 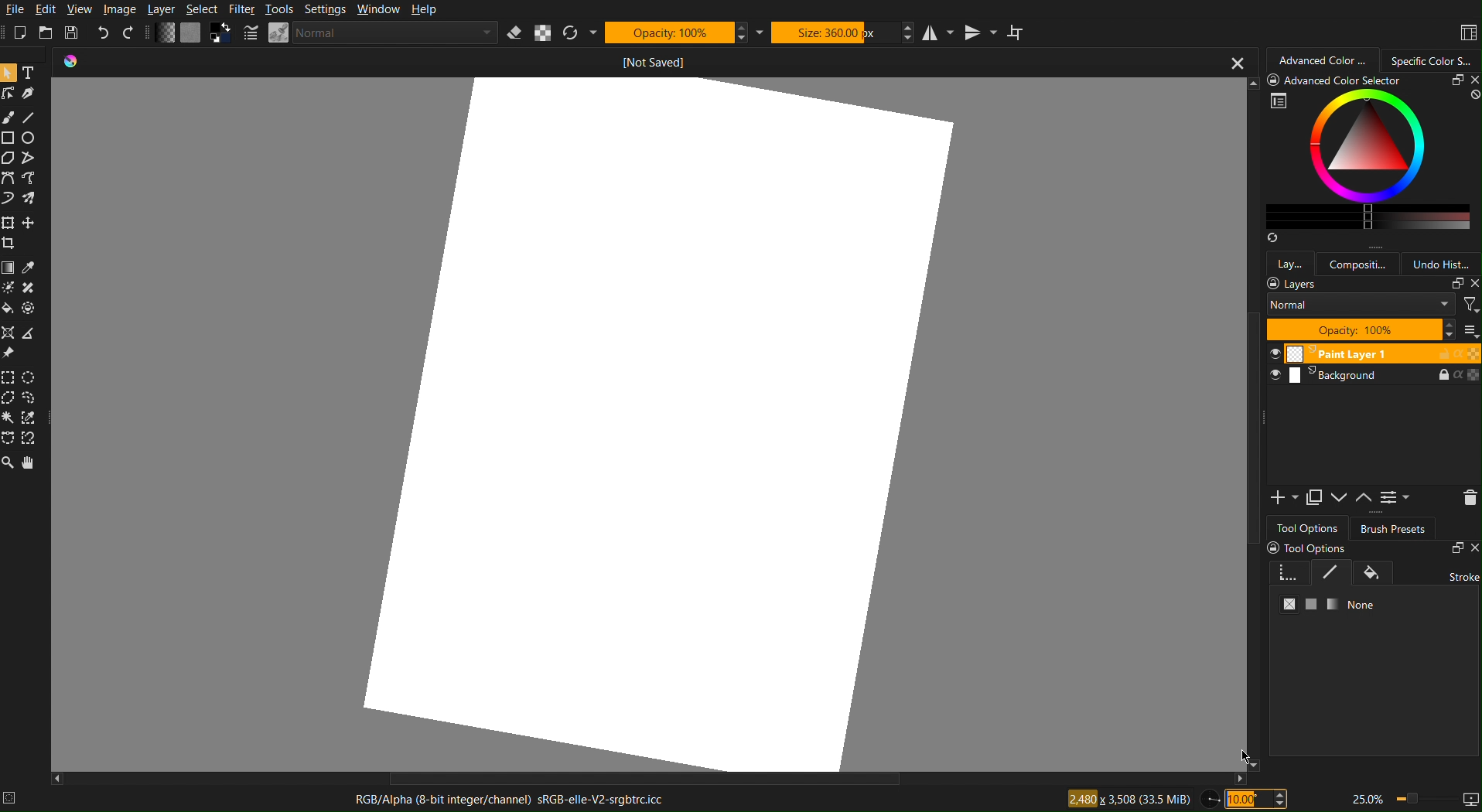 I want to click on Eraser, so click(x=516, y=32).